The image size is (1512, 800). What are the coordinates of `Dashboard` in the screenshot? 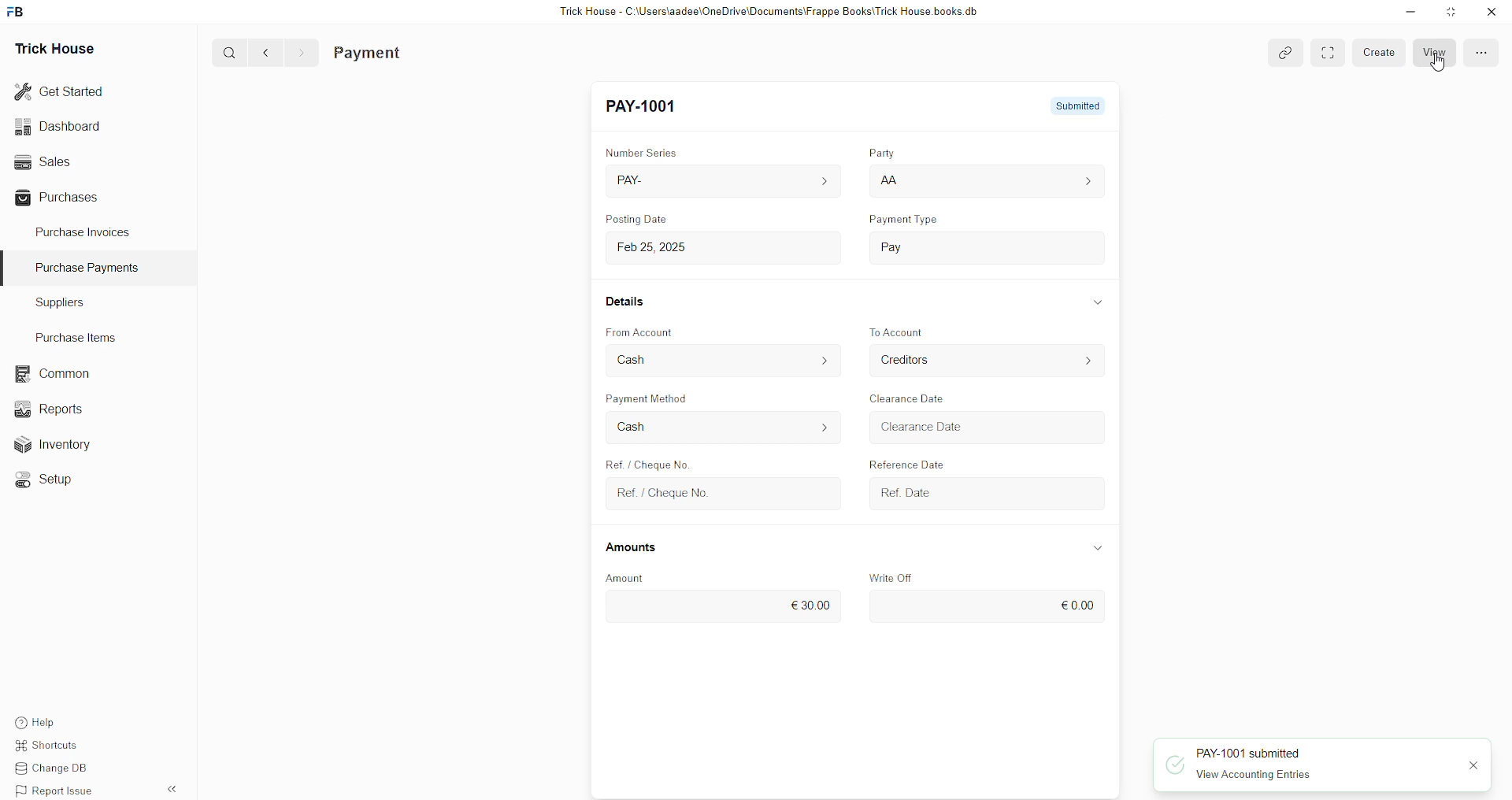 It's located at (61, 126).